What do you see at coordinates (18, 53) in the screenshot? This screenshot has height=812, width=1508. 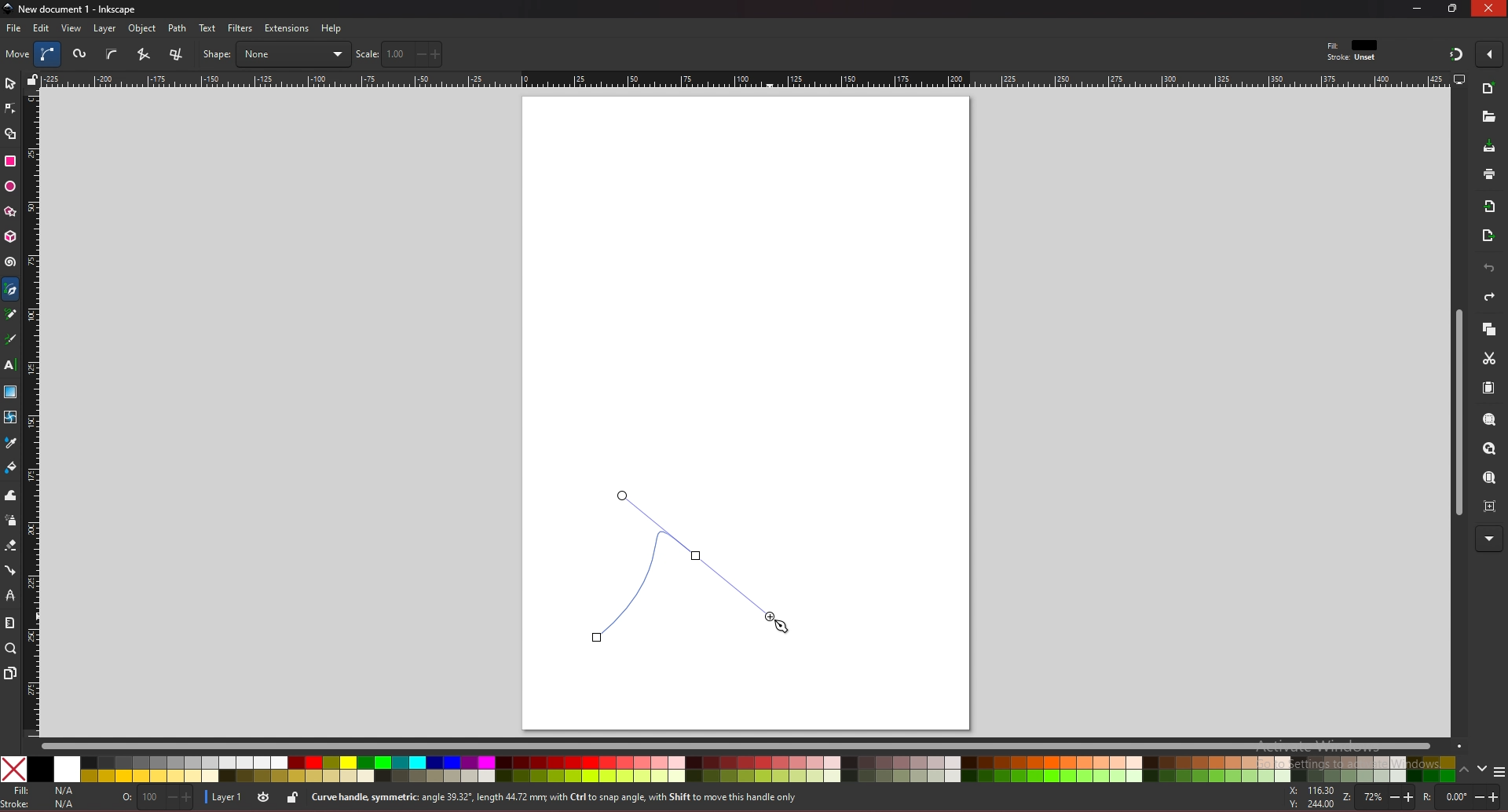 I see `move` at bounding box center [18, 53].